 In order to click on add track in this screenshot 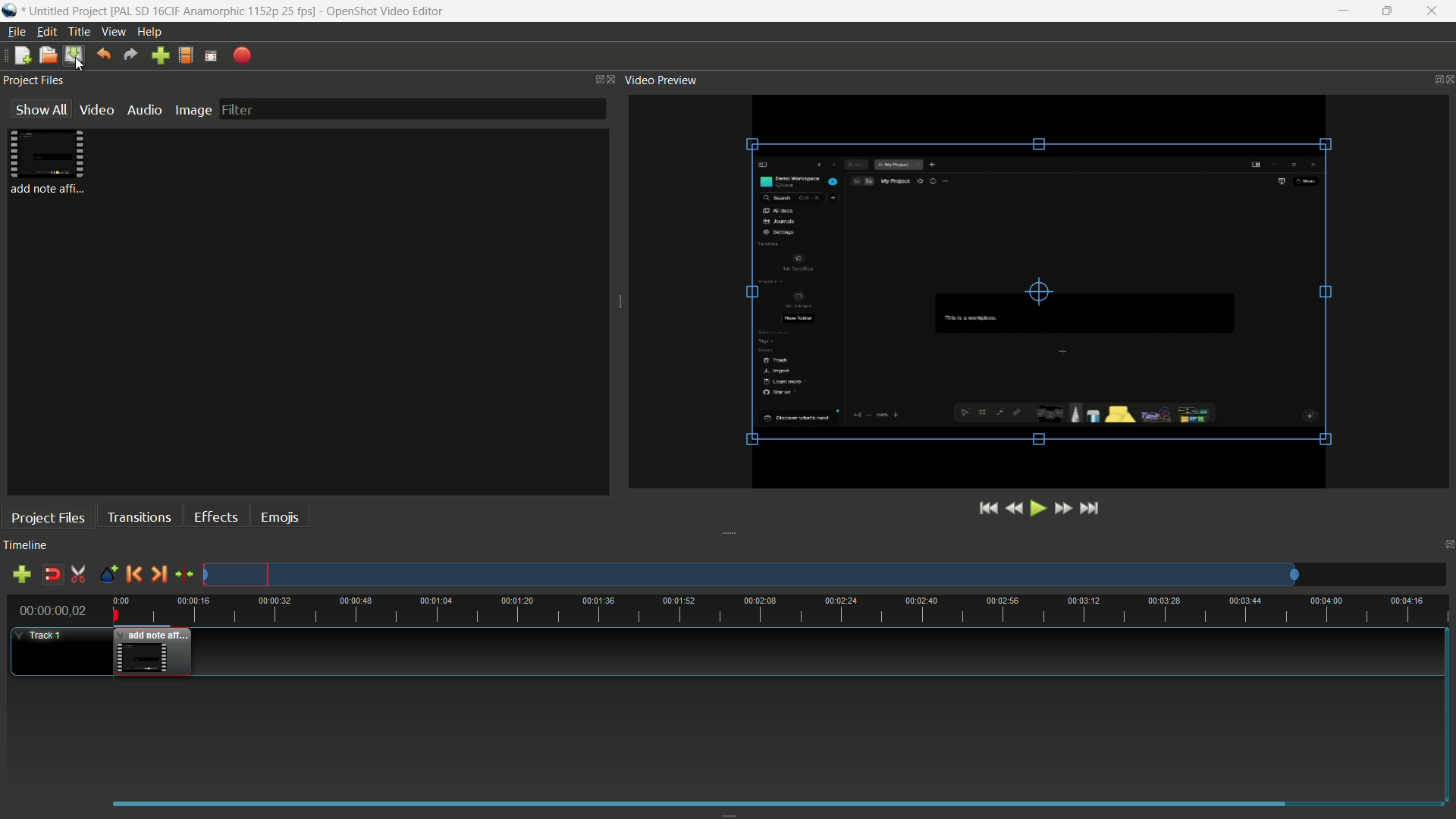, I will do `click(22, 575)`.